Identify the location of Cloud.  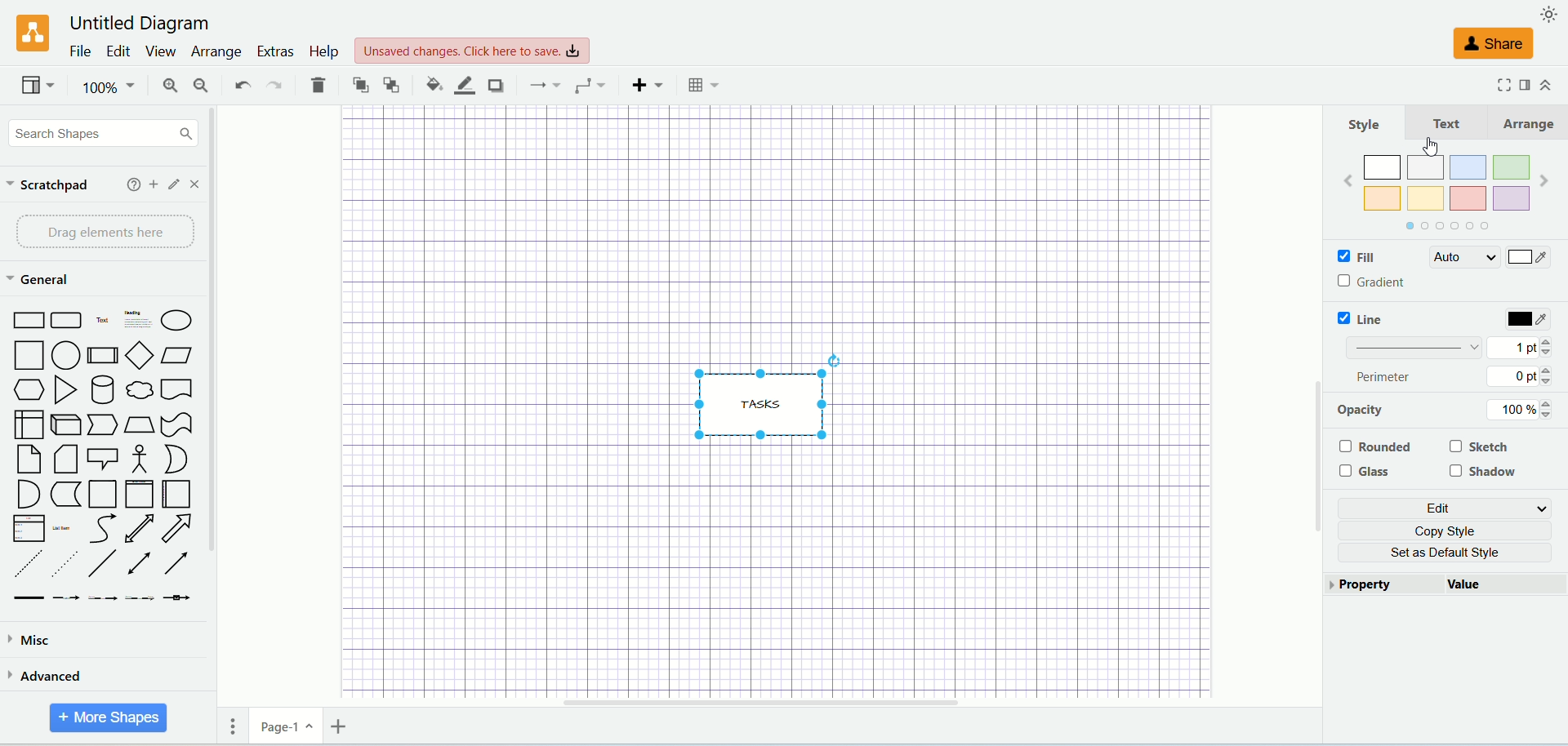
(139, 389).